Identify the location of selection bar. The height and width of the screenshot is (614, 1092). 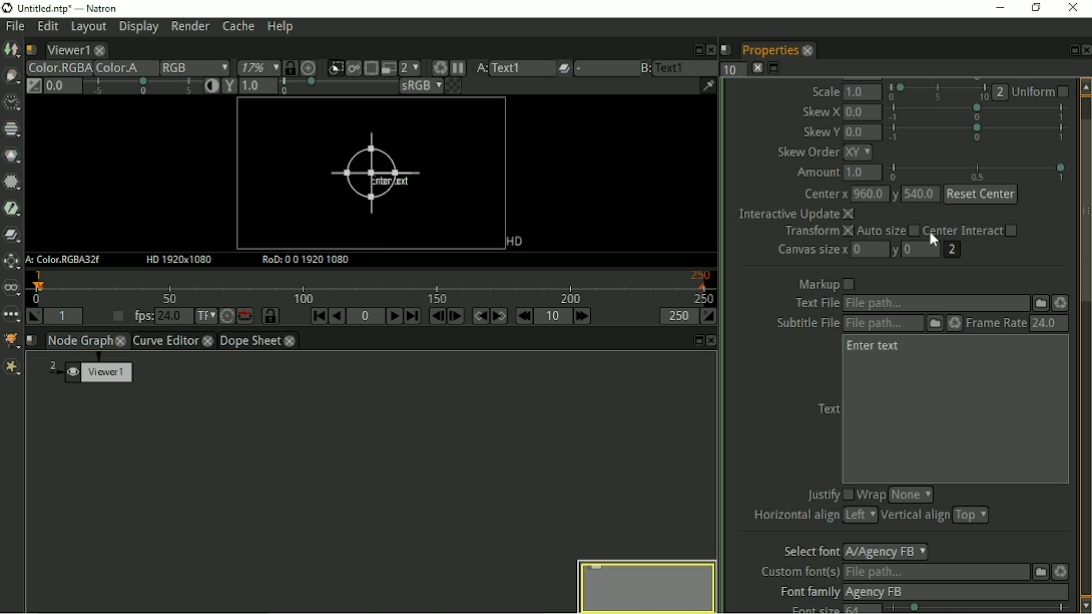
(979, 171).